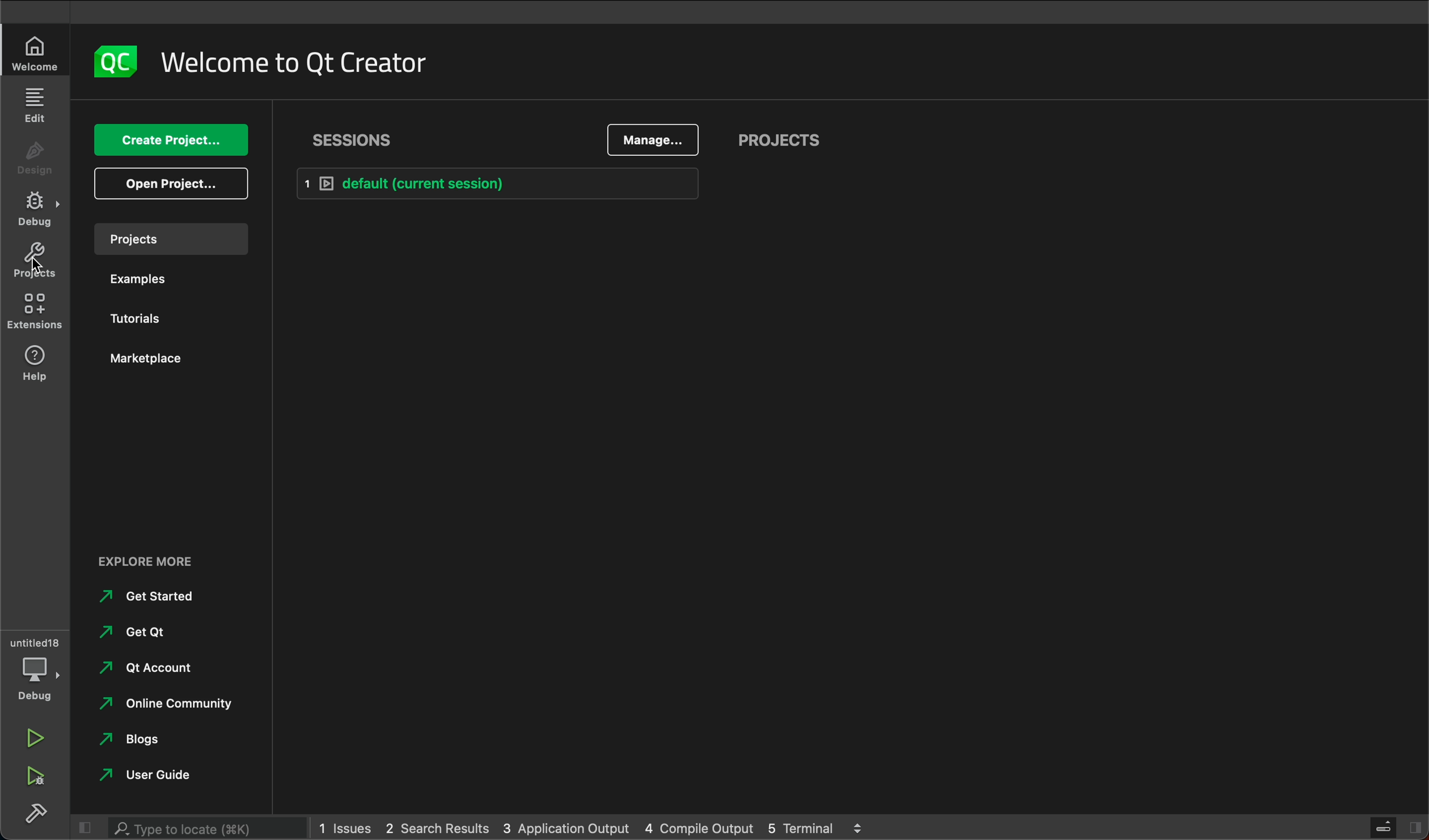  I want to click on untitled, so click(35, 638).